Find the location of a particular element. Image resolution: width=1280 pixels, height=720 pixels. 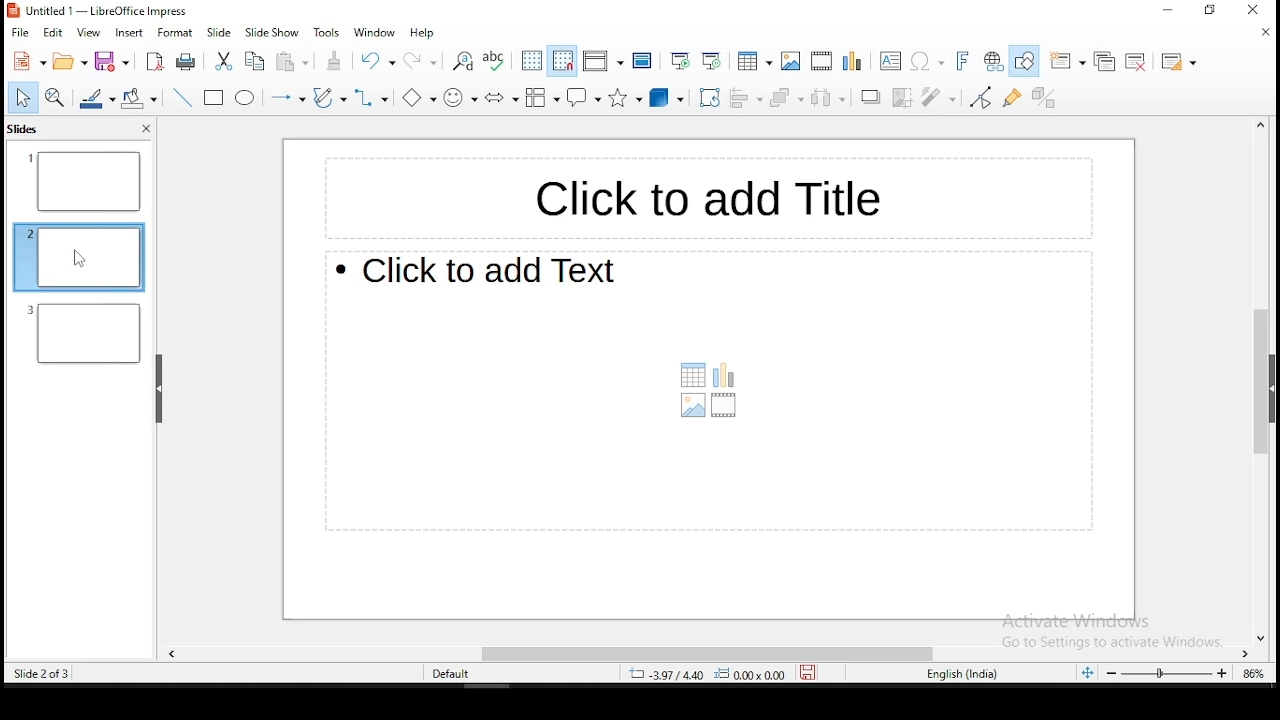

start from current slide is located at coordinates (713, 62).